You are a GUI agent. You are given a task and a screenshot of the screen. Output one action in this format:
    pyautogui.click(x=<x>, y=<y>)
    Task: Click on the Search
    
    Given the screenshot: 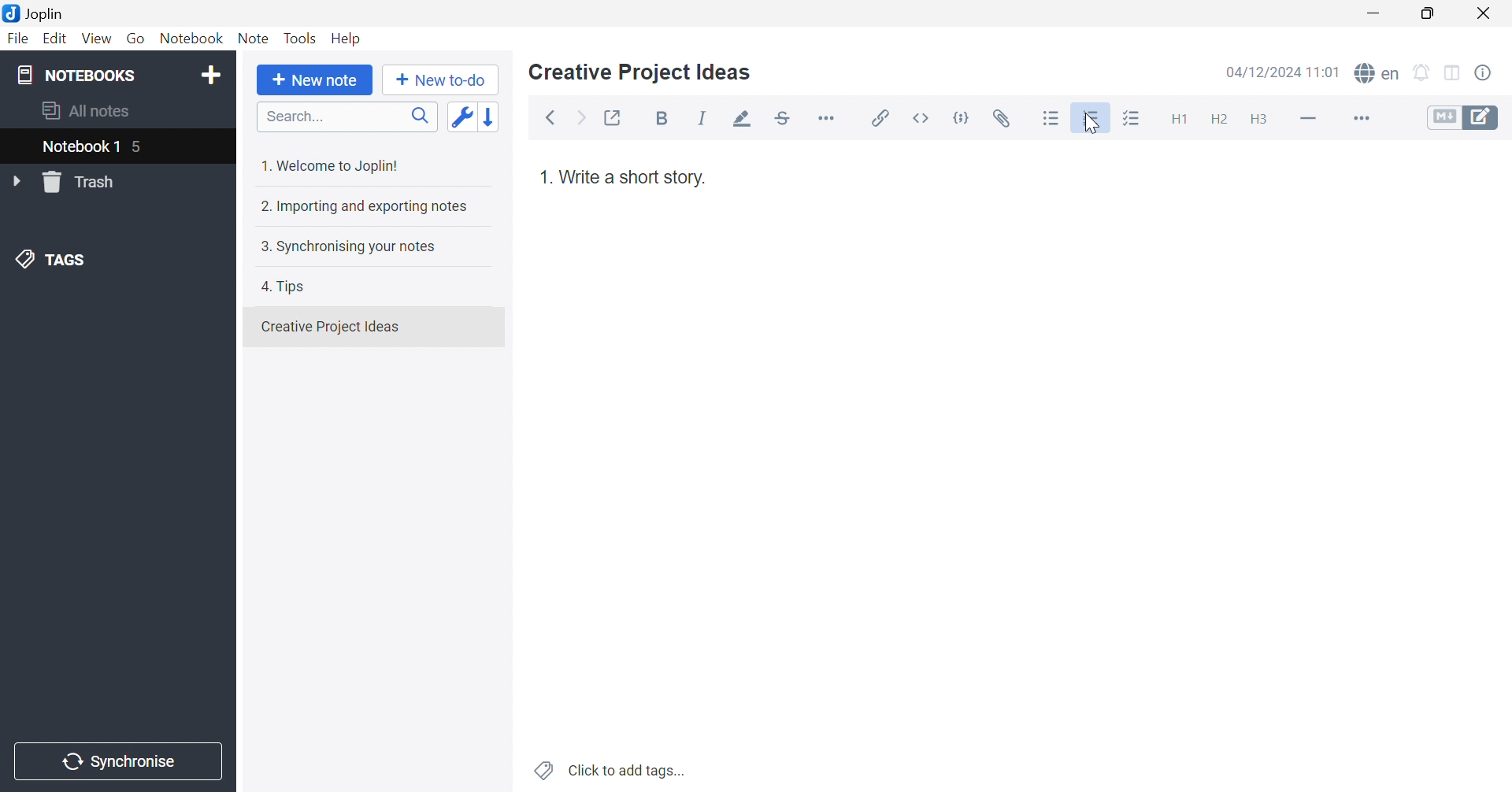 What is the action you would take?
    pyautogui.click(x=347, y=118)
    